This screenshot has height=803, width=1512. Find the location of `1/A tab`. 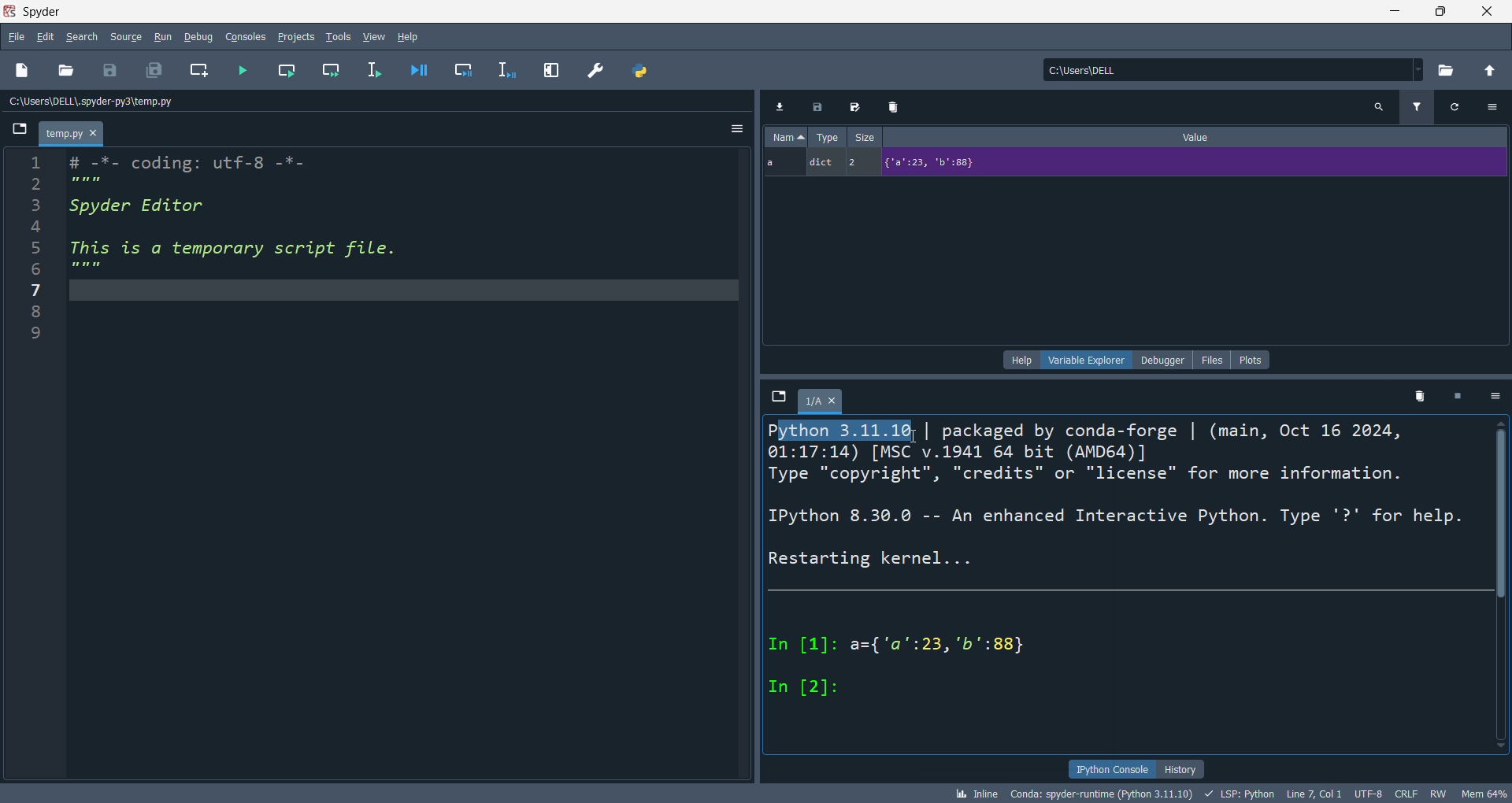

1/A tab is located at coordinates (825, 404).